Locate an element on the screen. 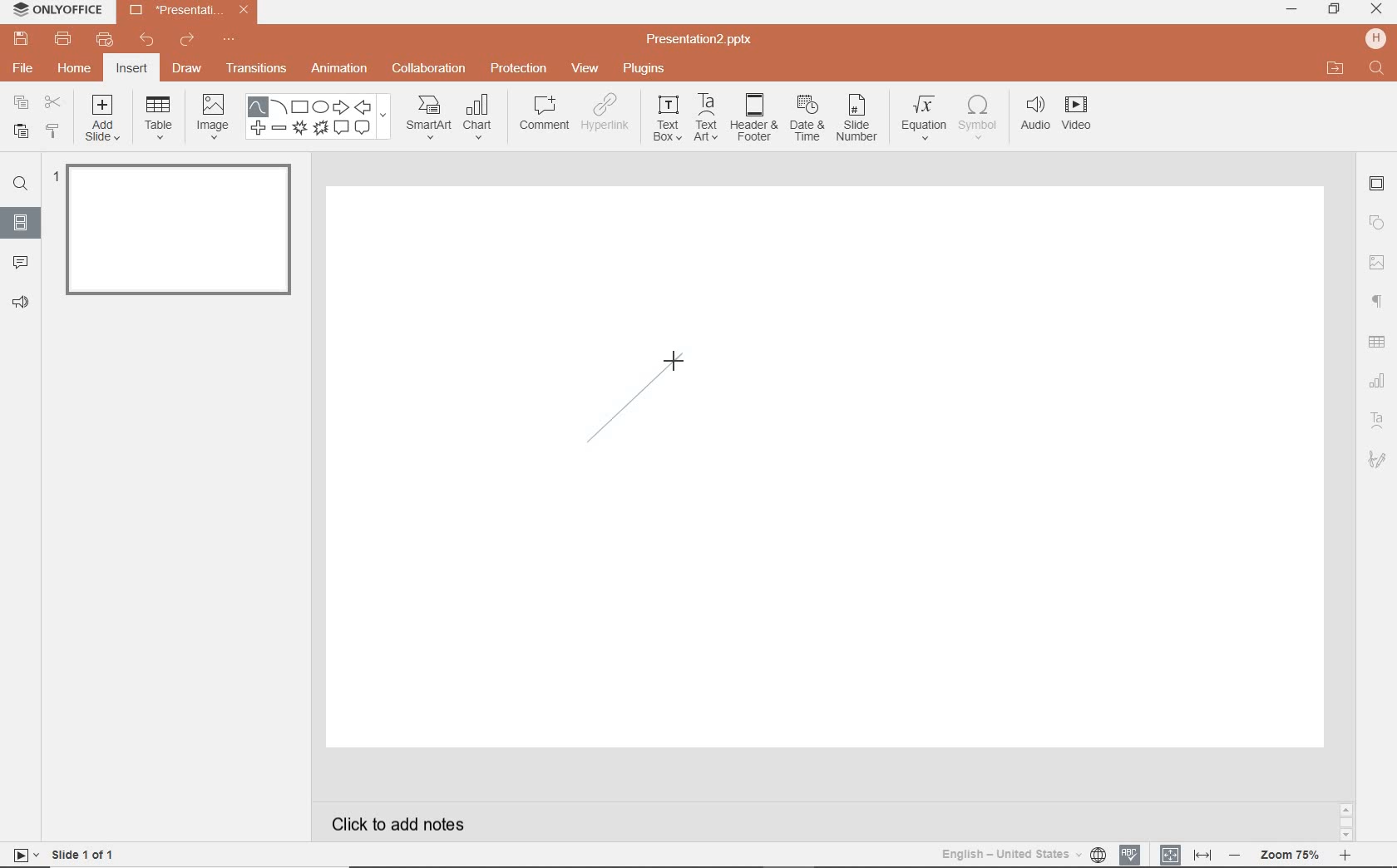 This screenshot has height=868, width=1397. CHART is located at coordinates (481, 119).